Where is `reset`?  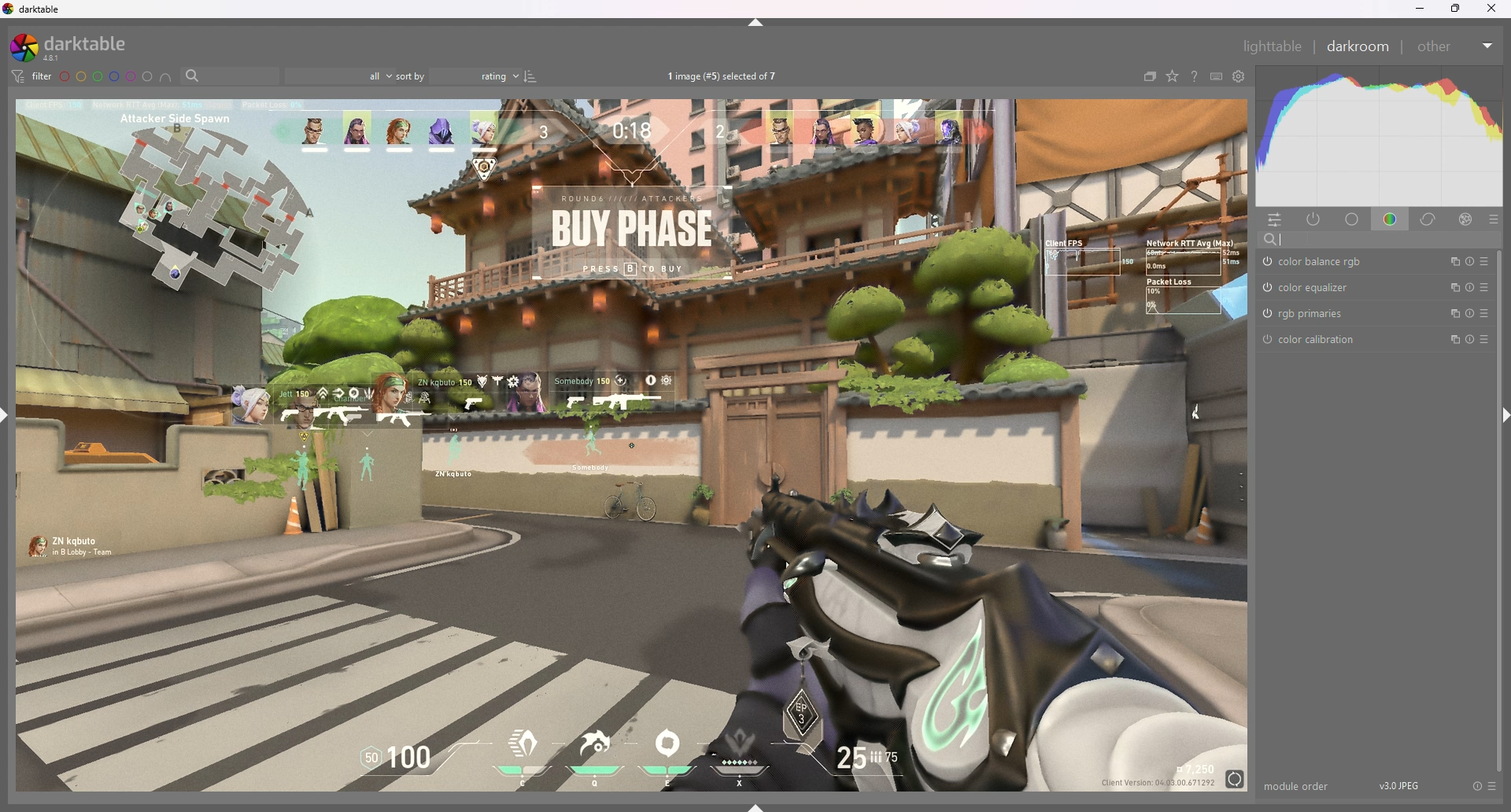
reset is located at coordinates (1476, 785).